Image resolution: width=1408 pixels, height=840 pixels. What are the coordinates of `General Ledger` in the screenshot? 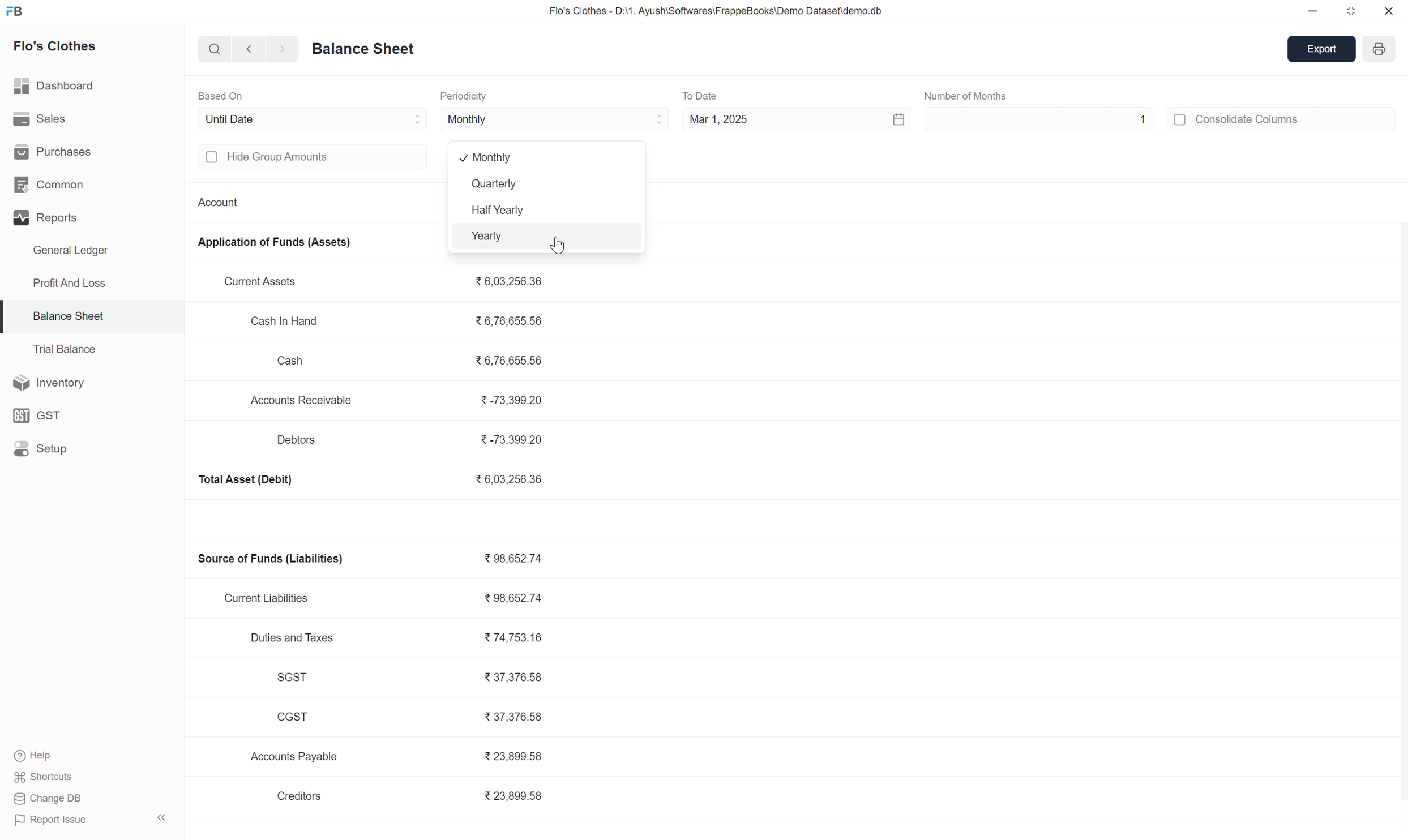 It's located at (77, 251).